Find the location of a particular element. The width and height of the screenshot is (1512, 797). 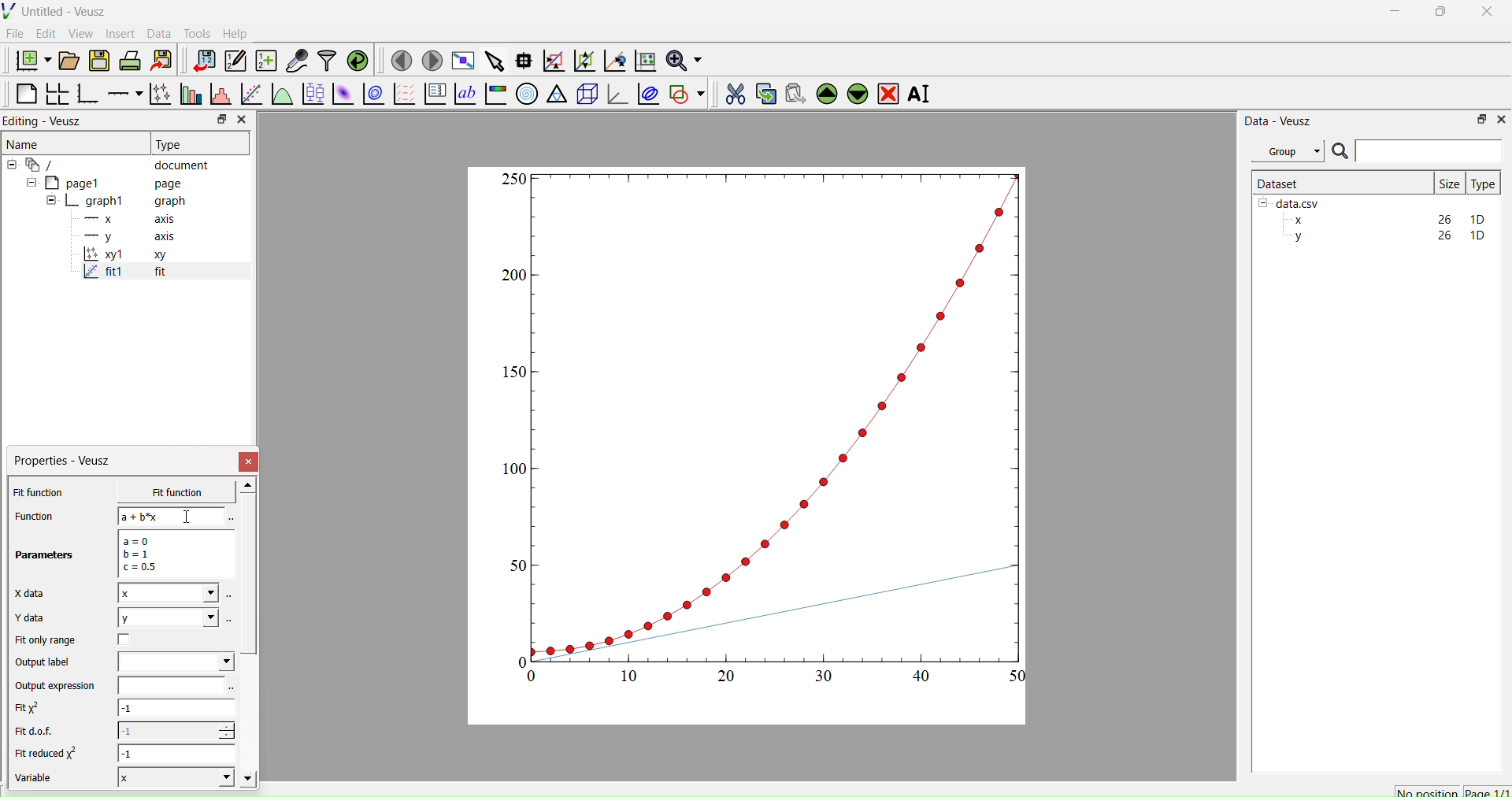

-1 is located at coordinates (176, 730).